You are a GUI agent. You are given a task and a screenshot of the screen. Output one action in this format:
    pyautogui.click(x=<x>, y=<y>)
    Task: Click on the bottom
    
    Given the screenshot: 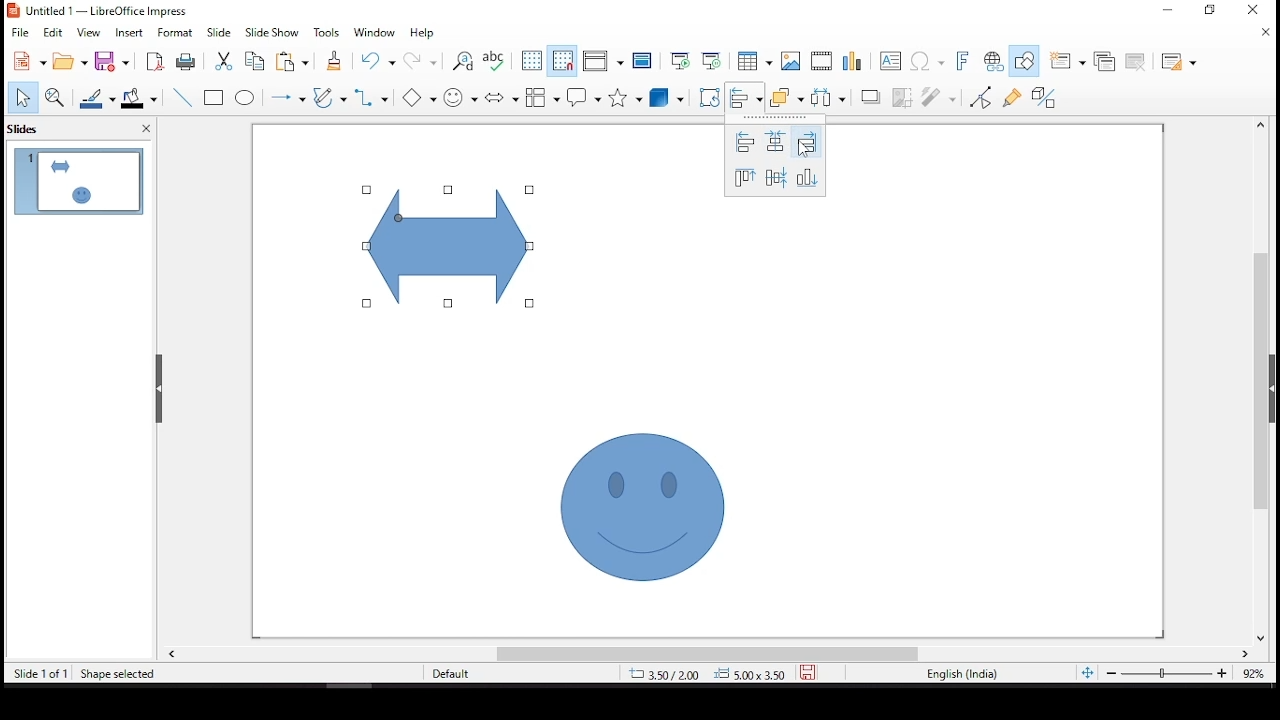 What is the action you would take?
    pyautogui.click(x=809, y=177)
    